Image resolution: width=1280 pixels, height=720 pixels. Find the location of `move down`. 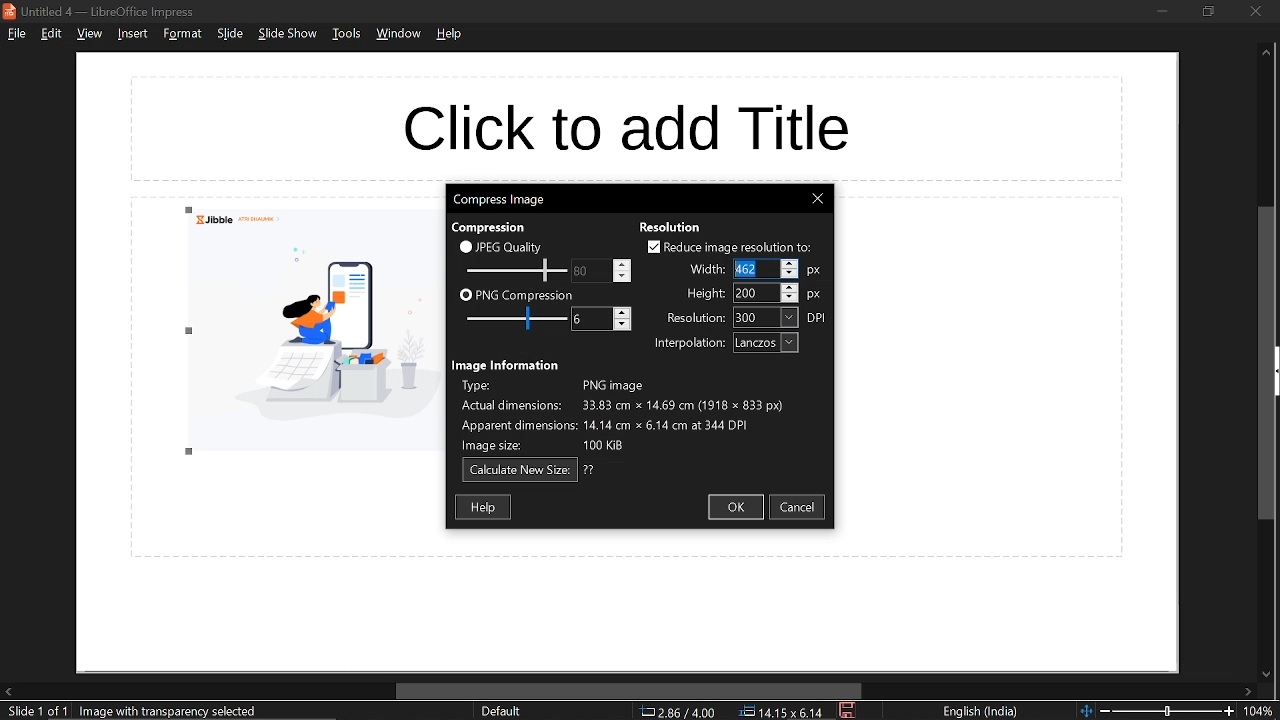

move down is located at coordinates (1264, 675).